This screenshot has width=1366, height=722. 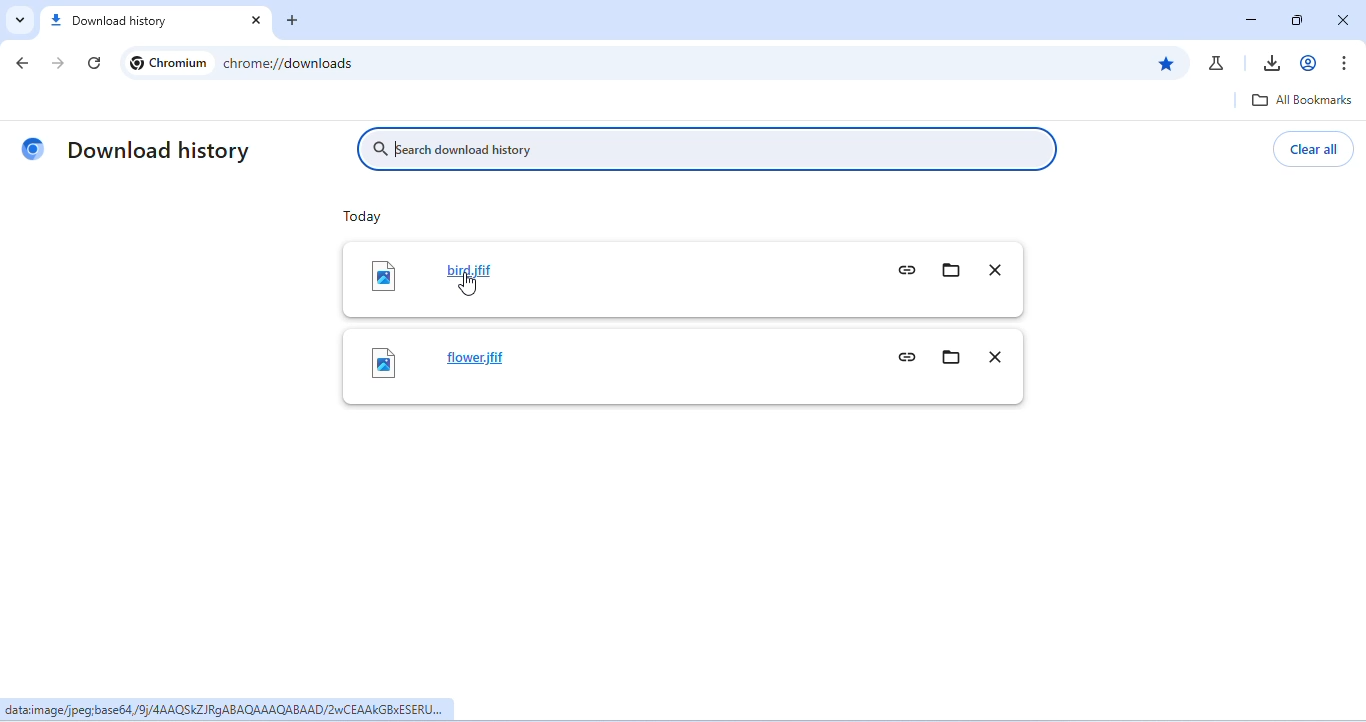 I want to click on all bookmarks, so click(x=1304, y=103).